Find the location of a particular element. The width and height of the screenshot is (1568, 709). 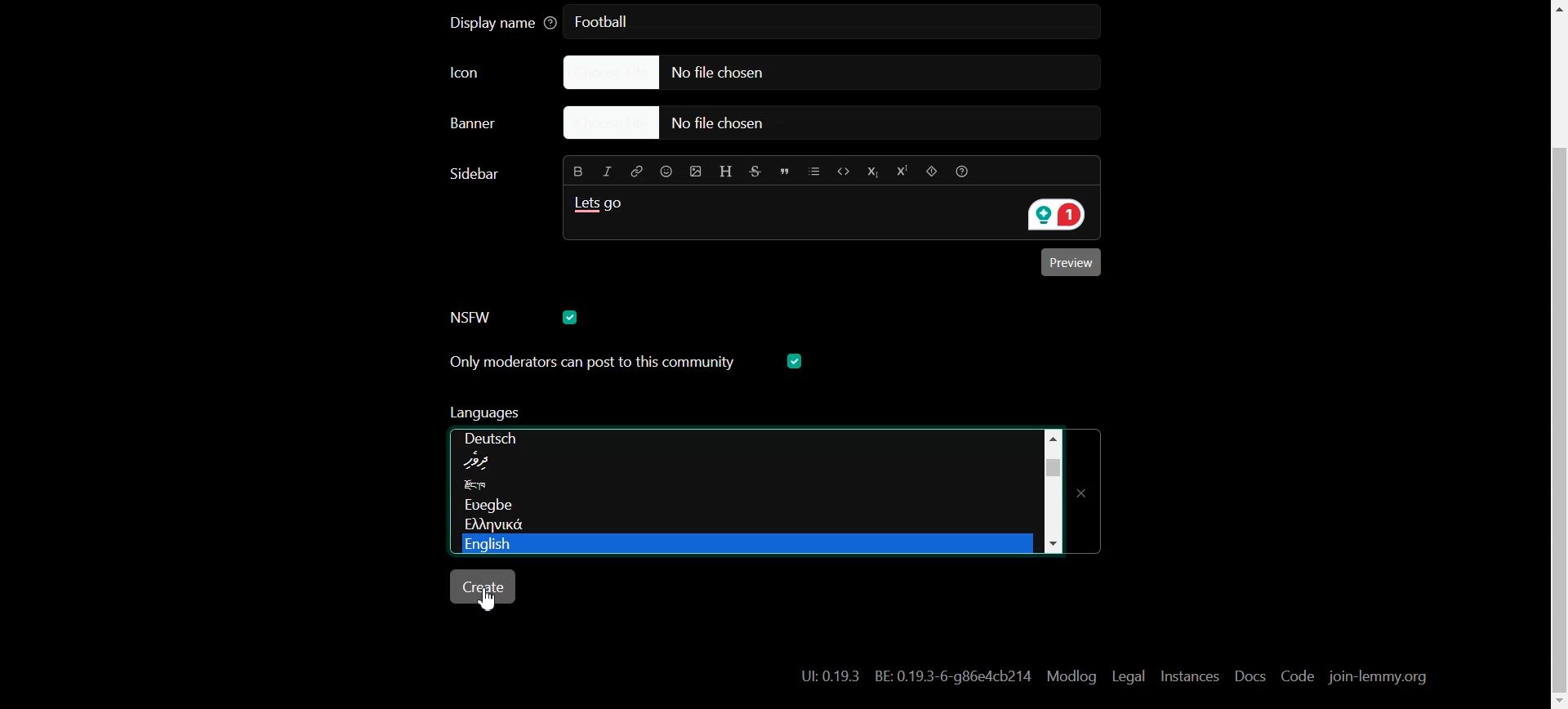

Strikethrough is located at coordinates (757, 170).